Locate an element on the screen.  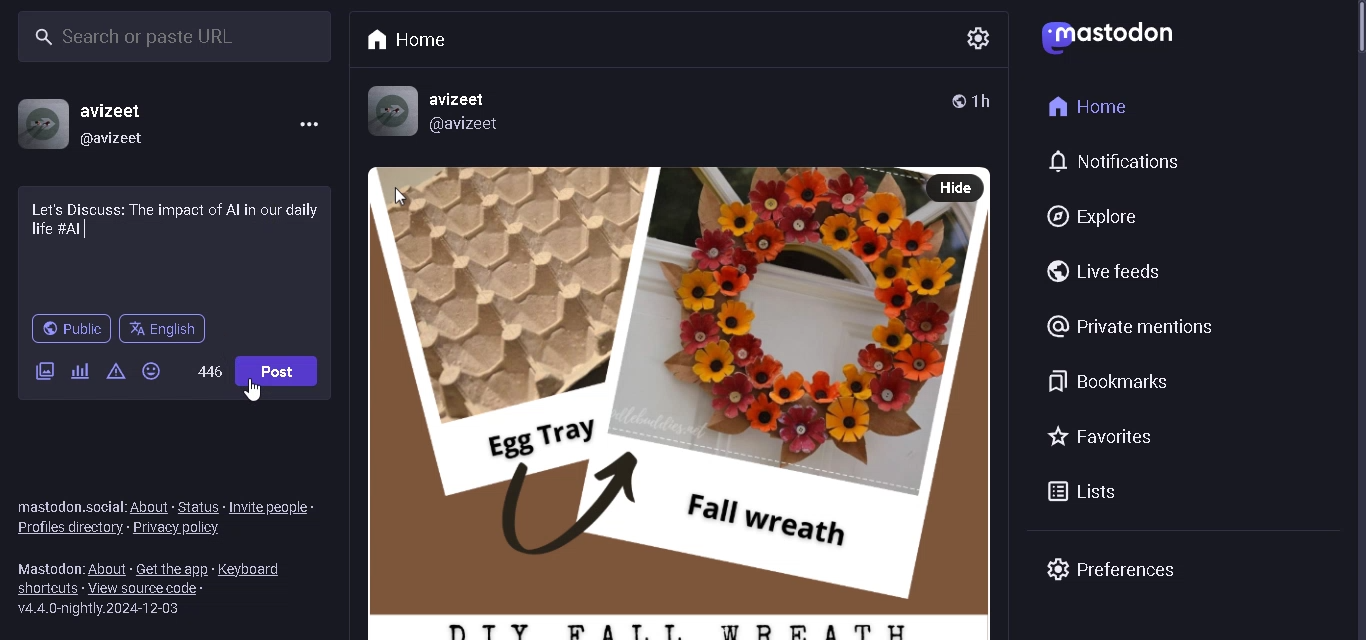
ABOUT is located at coordinates (110, 567).